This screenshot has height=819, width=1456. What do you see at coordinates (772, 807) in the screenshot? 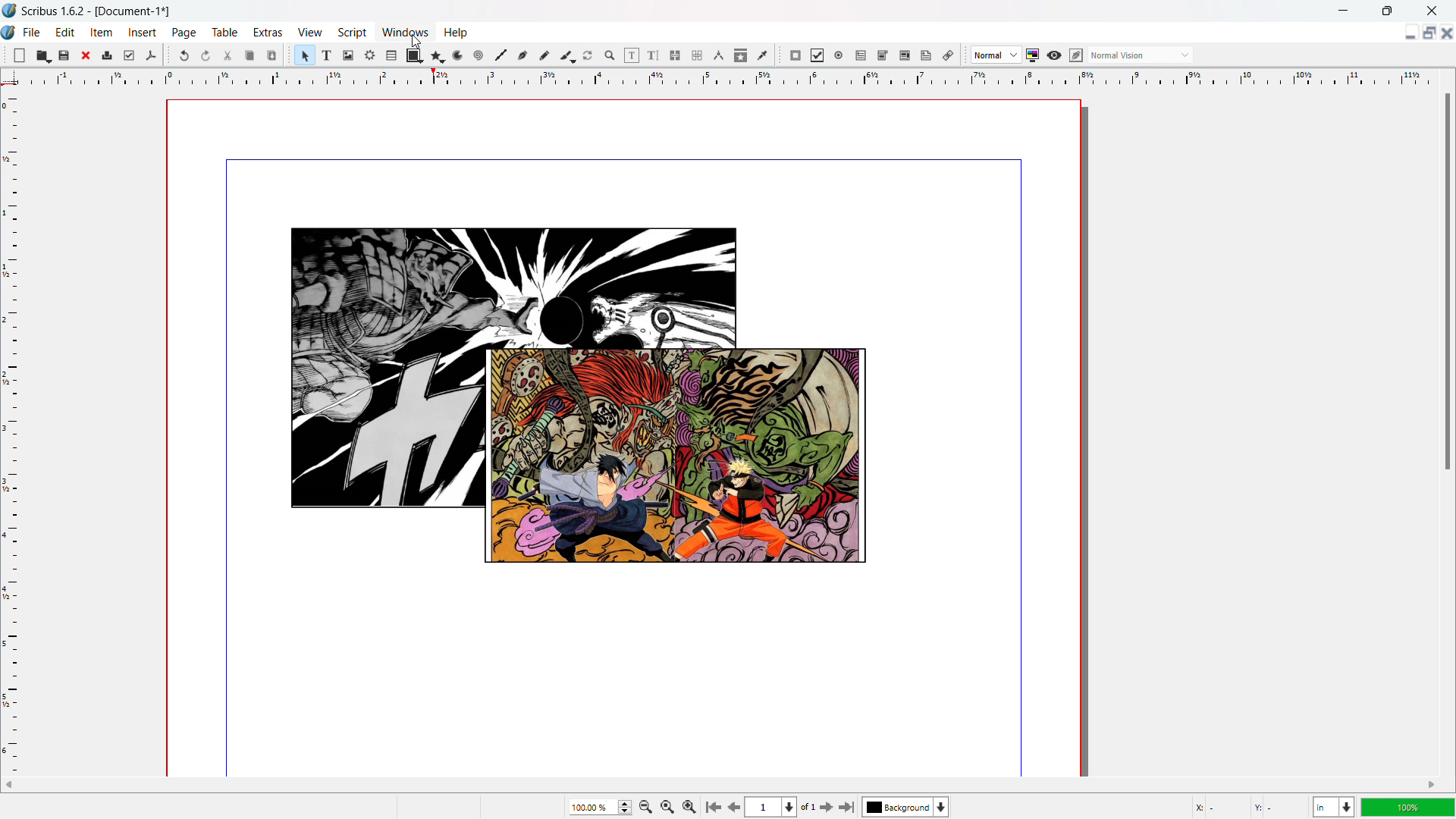
I see `select current page` at bounding box center [772, 807].